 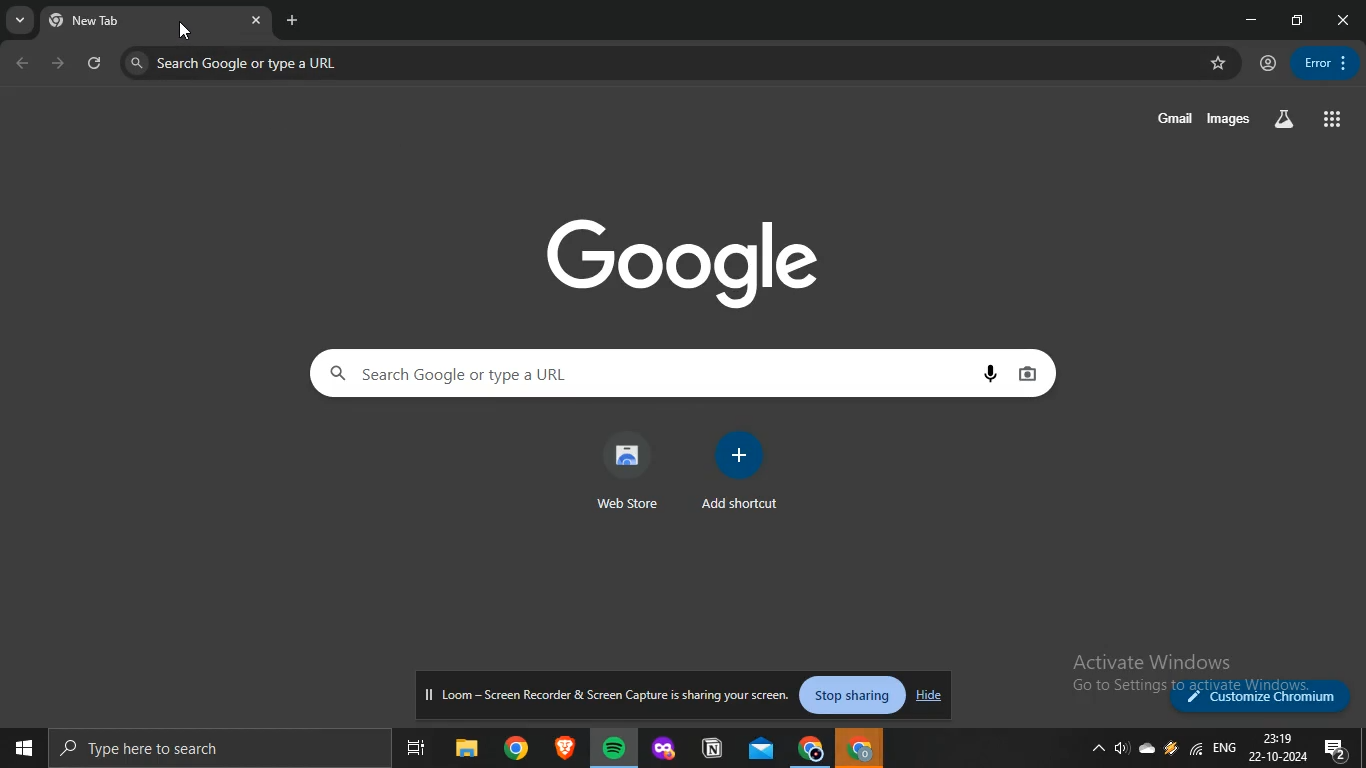 I want to click on task view, so click(x=418, y=746).